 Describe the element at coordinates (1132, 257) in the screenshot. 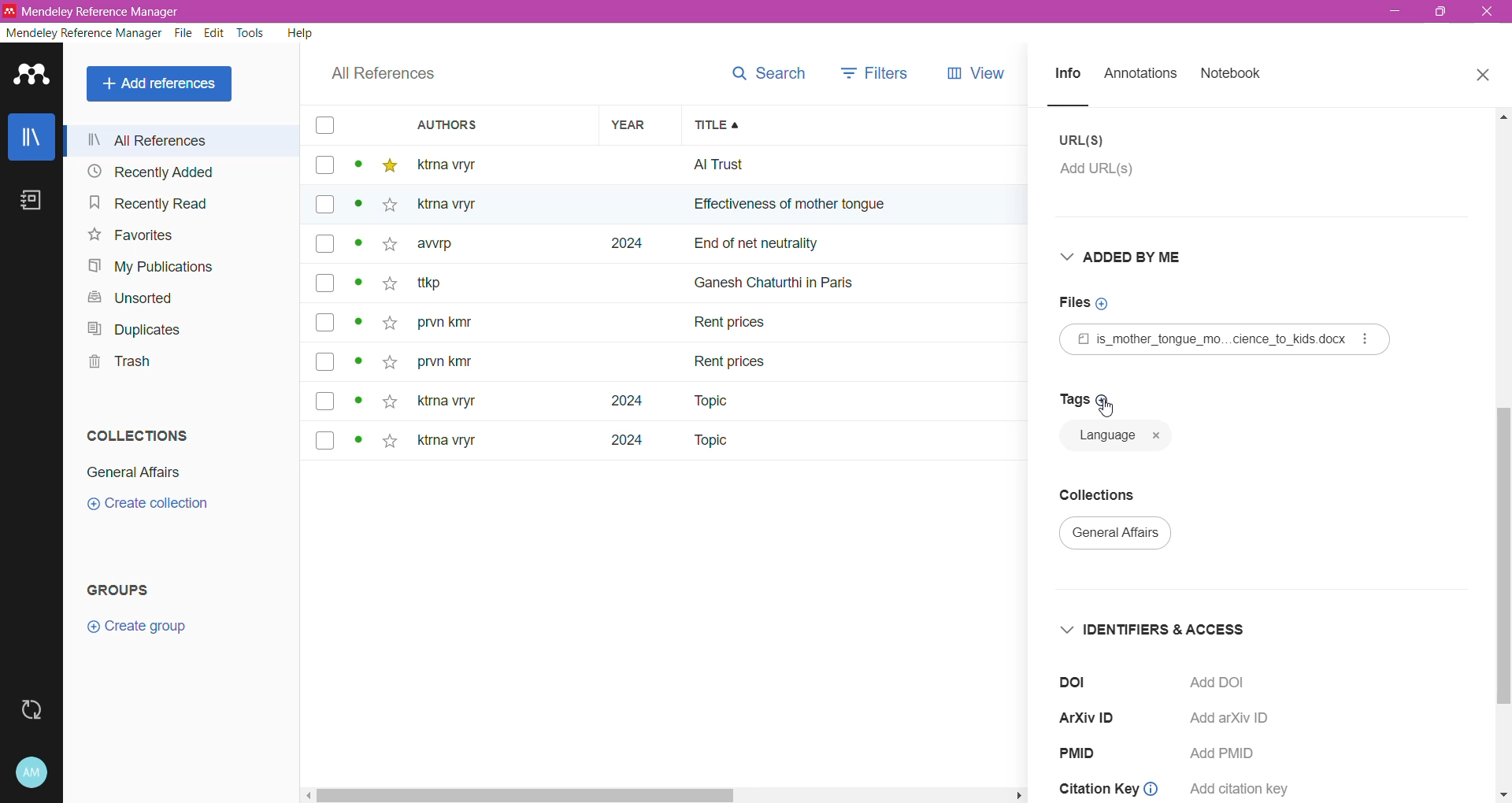

I see `Added By Me` at that location.